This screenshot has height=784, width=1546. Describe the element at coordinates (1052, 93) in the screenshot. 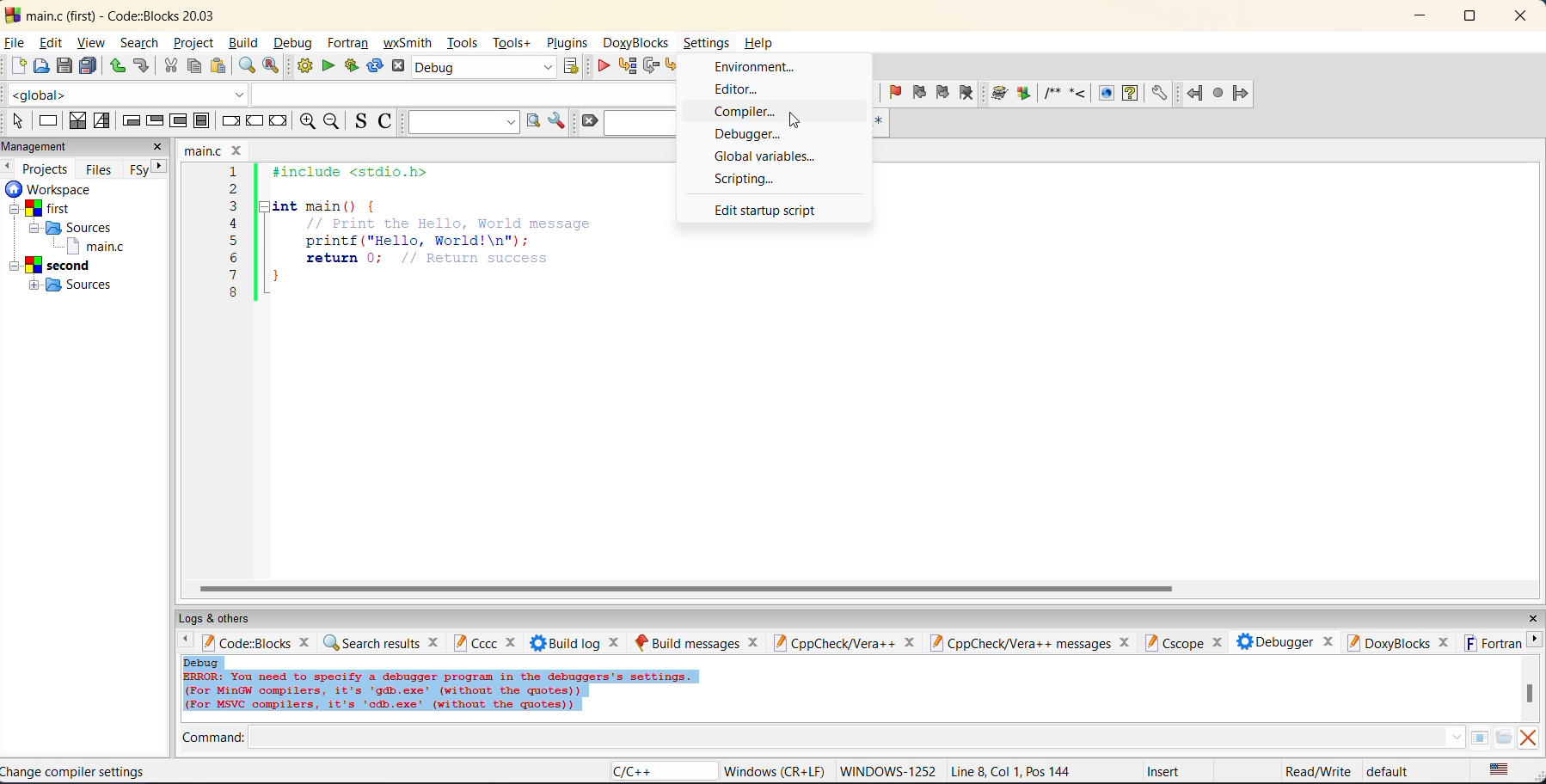

I see `insert a comment block` at that location.